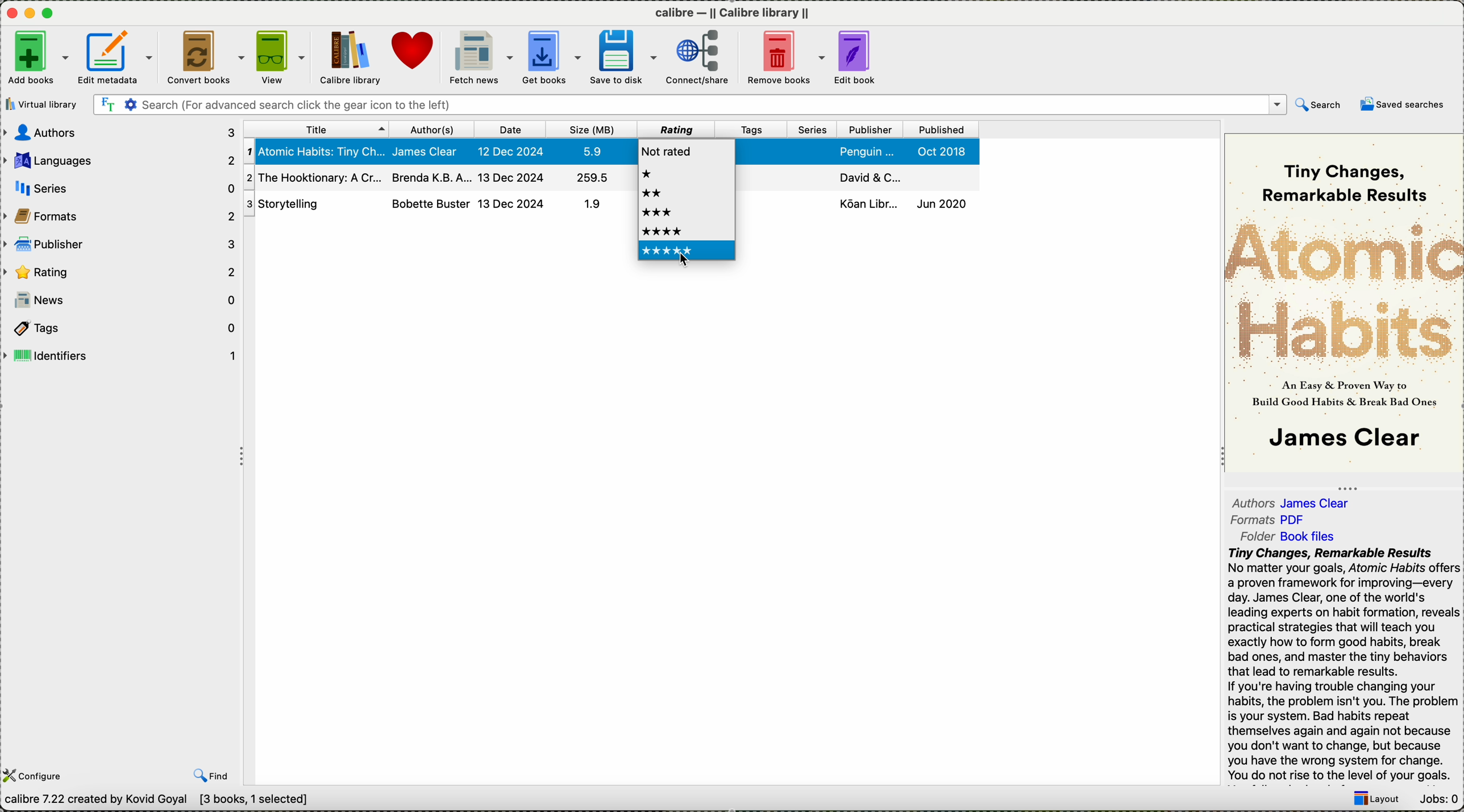 Image resolution: width=1464 pixels, height=812 pixels. I want to click on add books, so click(38, 60).